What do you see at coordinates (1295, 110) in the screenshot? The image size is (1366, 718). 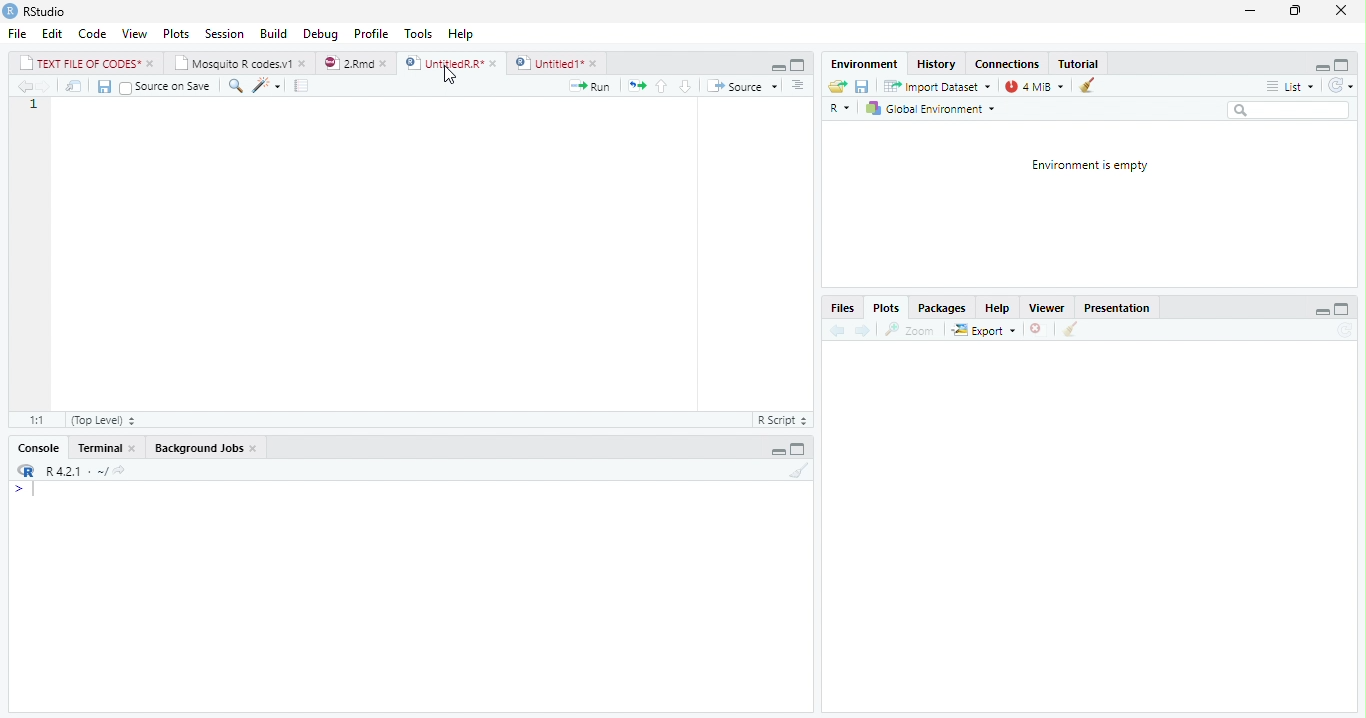 I see `search bar` at bounding box center [1295, 110].